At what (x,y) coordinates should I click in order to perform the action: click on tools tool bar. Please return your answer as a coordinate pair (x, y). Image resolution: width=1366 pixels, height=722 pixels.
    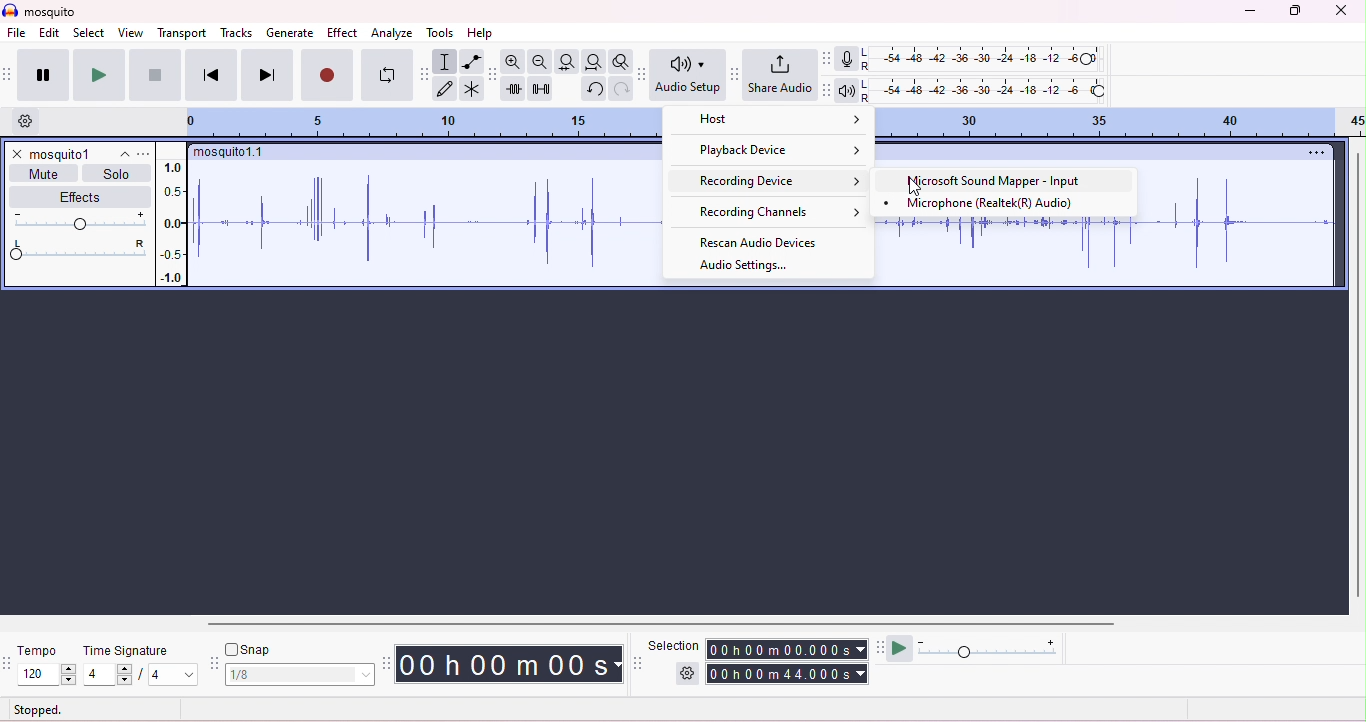
    Looking at the image, I should click on (427, 74).